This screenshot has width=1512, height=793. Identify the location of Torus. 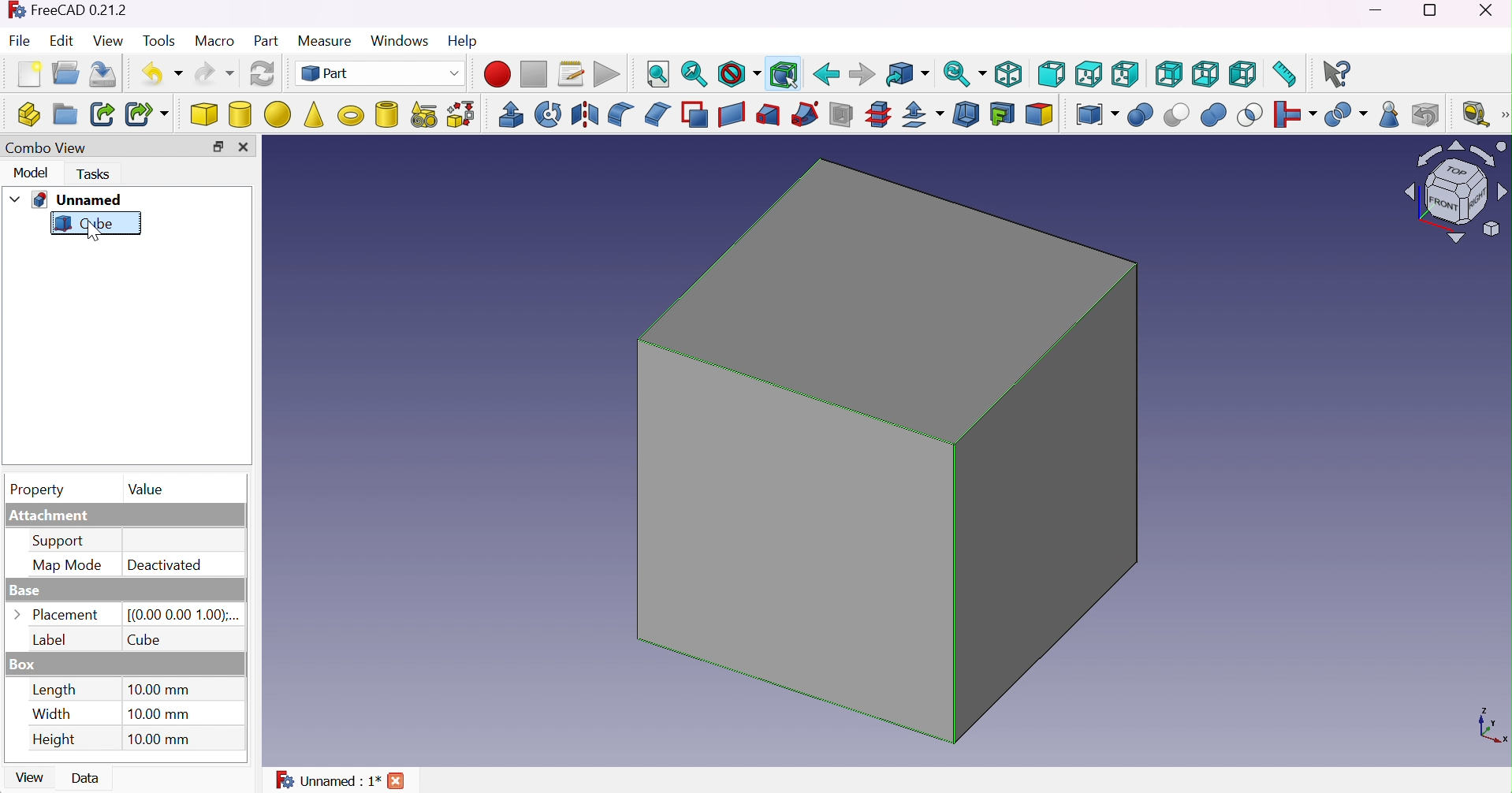
(351, 115).